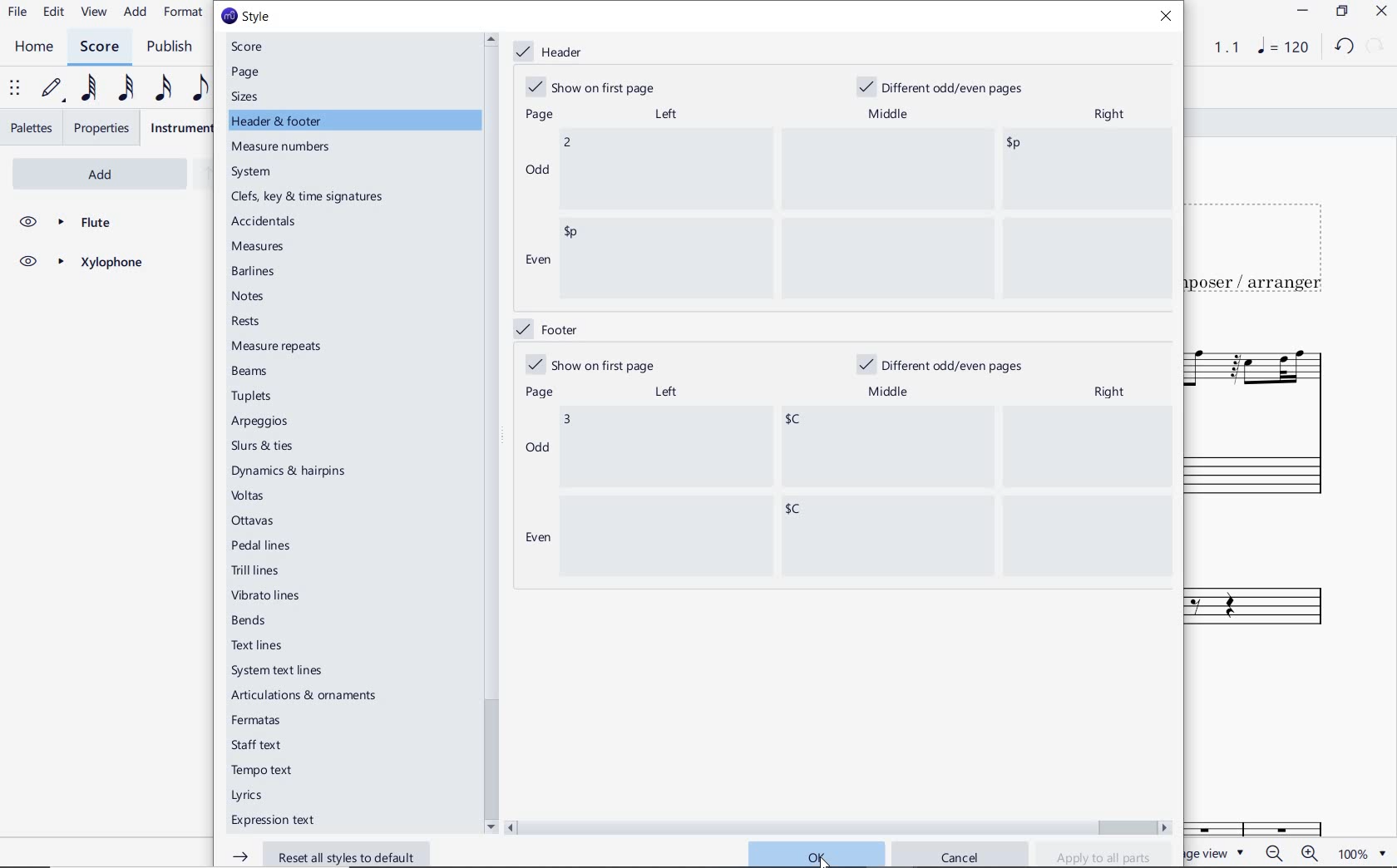 The image size is (1397, 868). I want to click on articulations & ornaments, so click(309, 697).